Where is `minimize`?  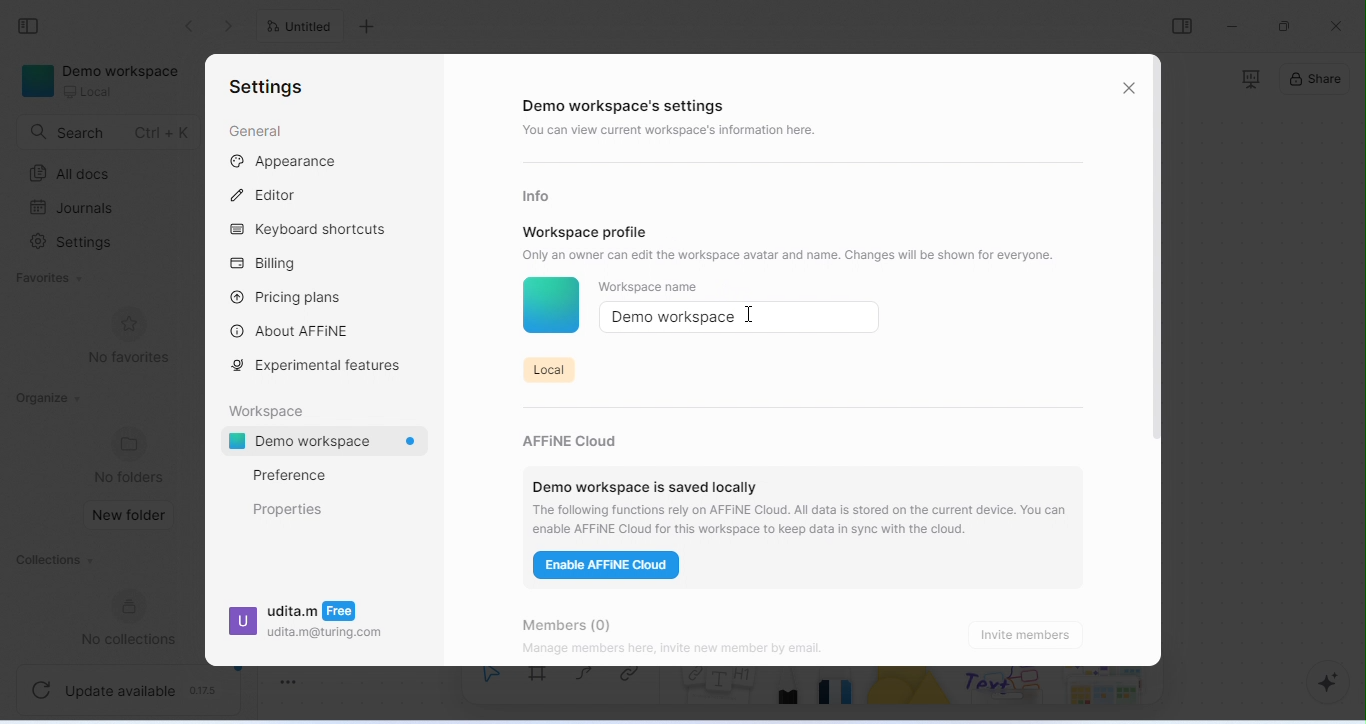
minimize is located at coordinates (1233, 25).